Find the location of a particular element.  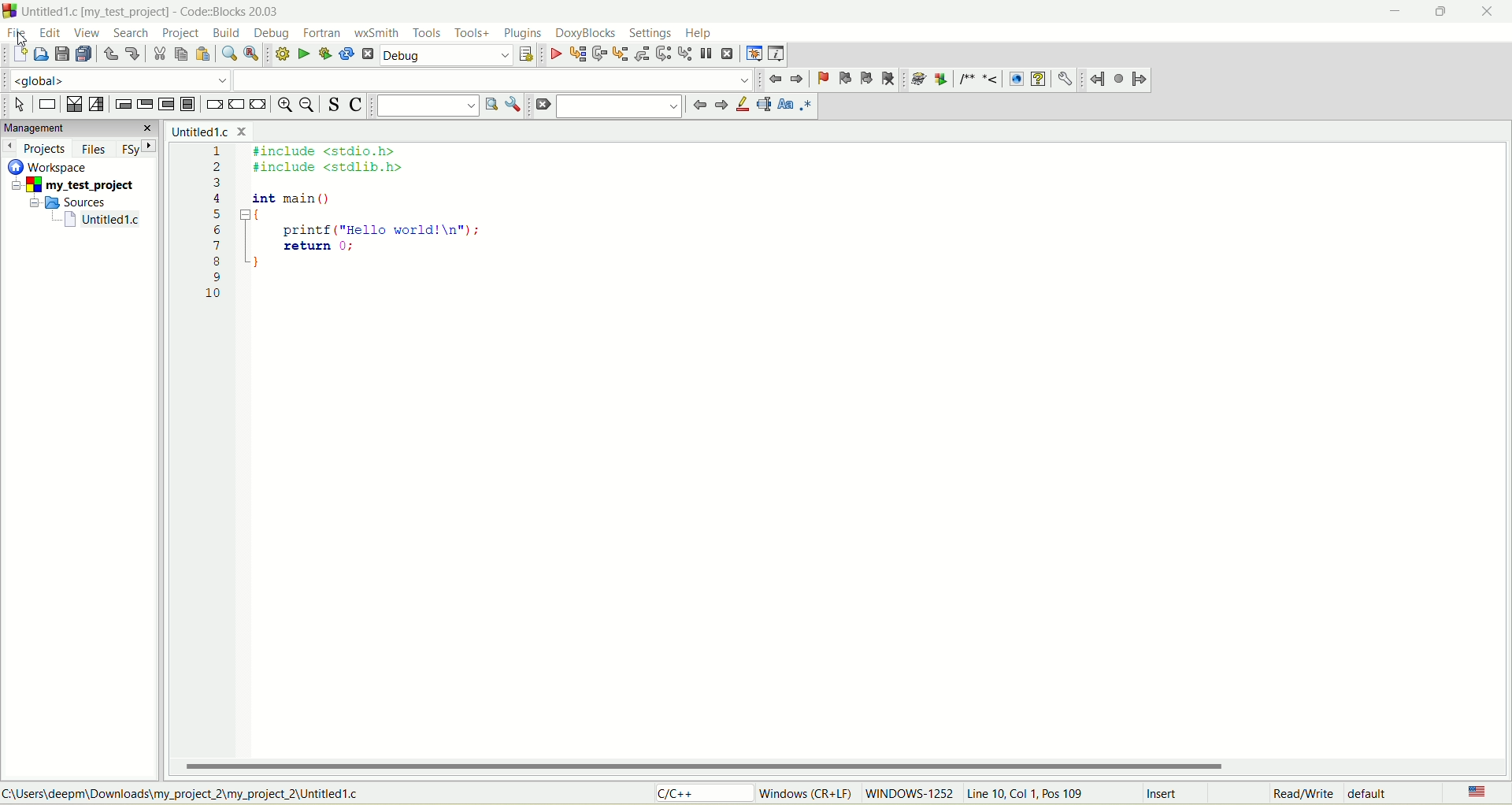

HTML is located at coordinates (1015, 80).